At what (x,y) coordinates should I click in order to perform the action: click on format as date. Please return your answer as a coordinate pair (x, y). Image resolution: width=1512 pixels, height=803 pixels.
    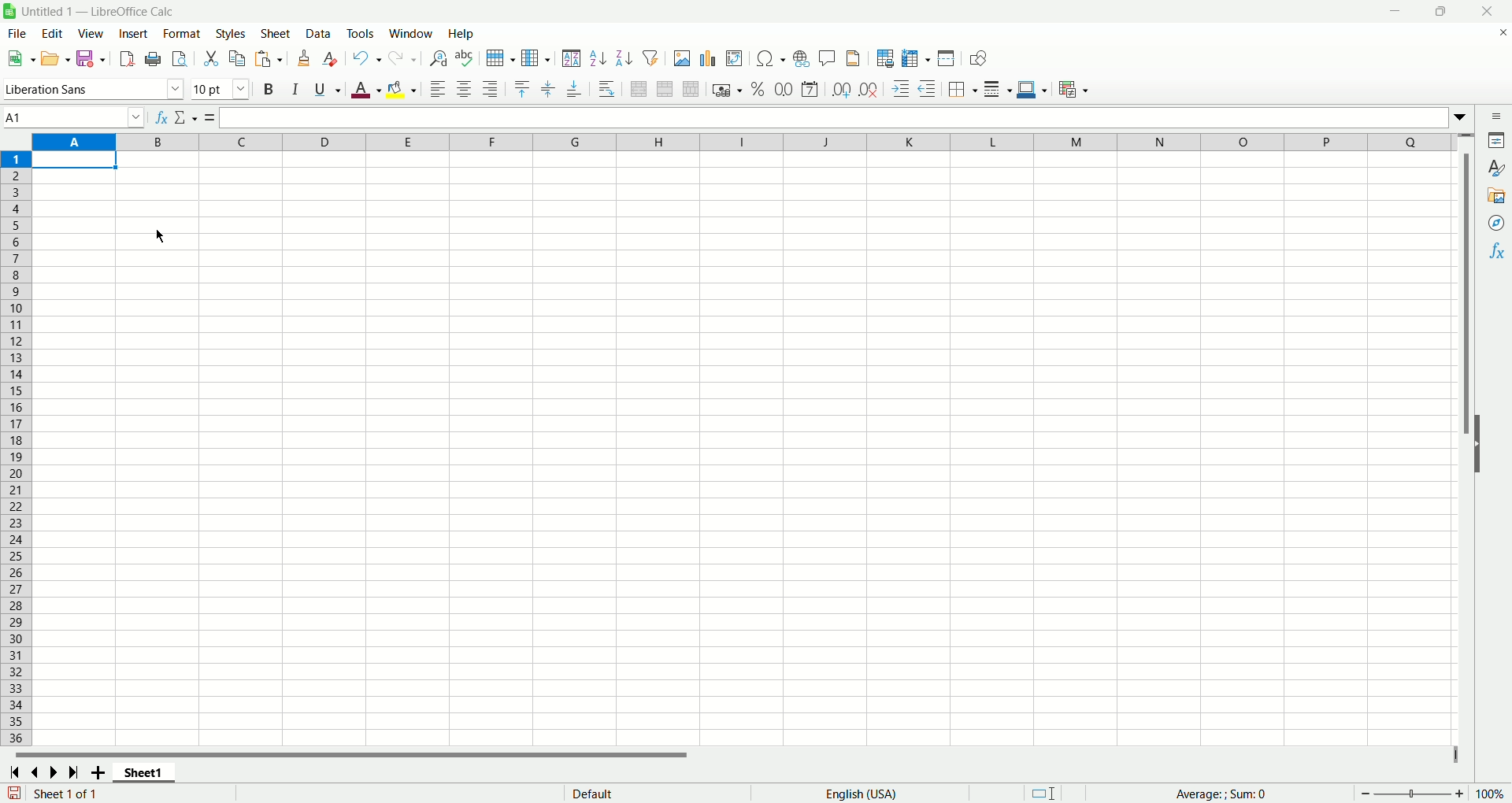
    Looking at the image, I should click on (810, 89).